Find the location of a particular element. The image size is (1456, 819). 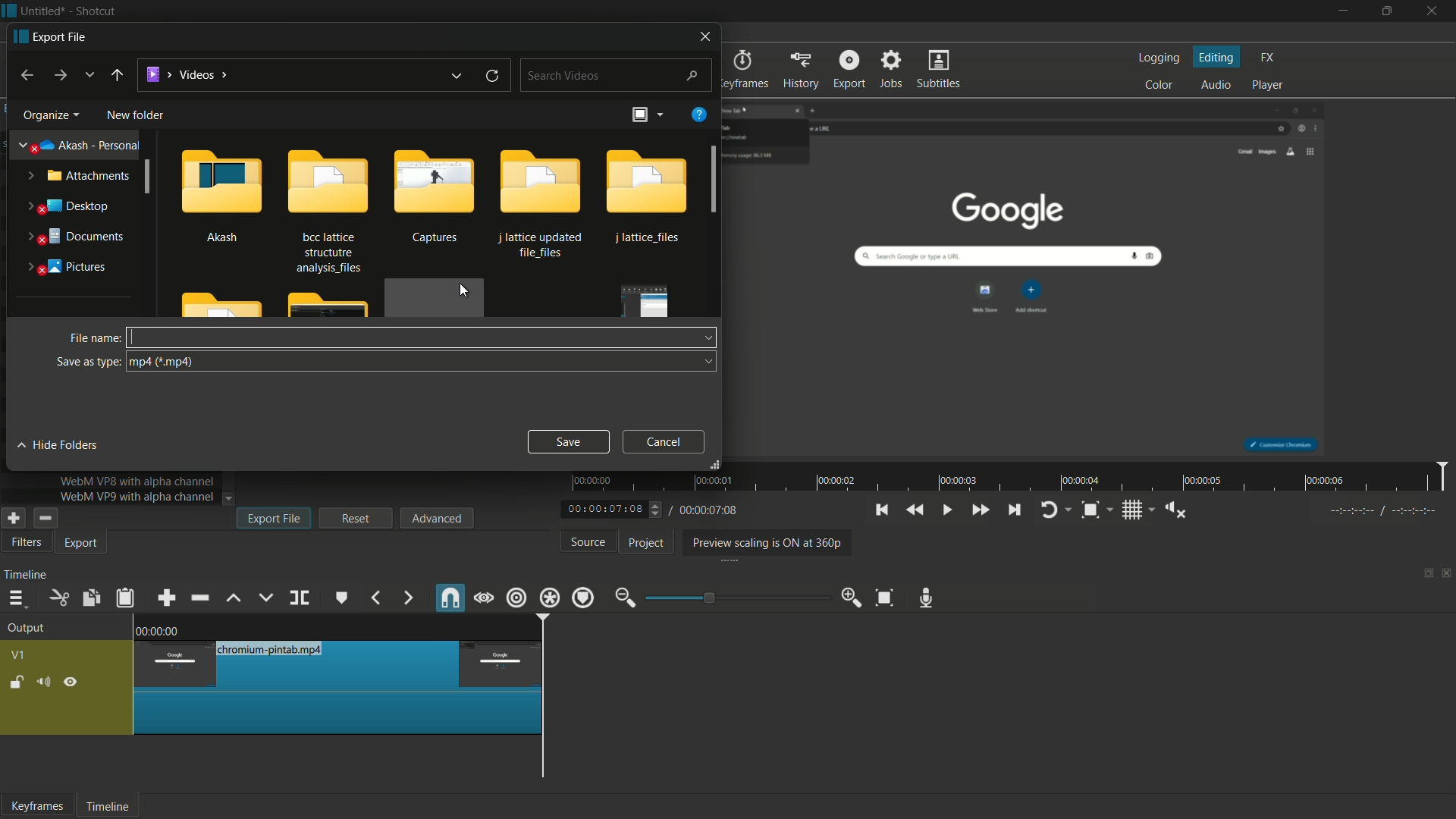

cursor is located at coordinates (135, 334).